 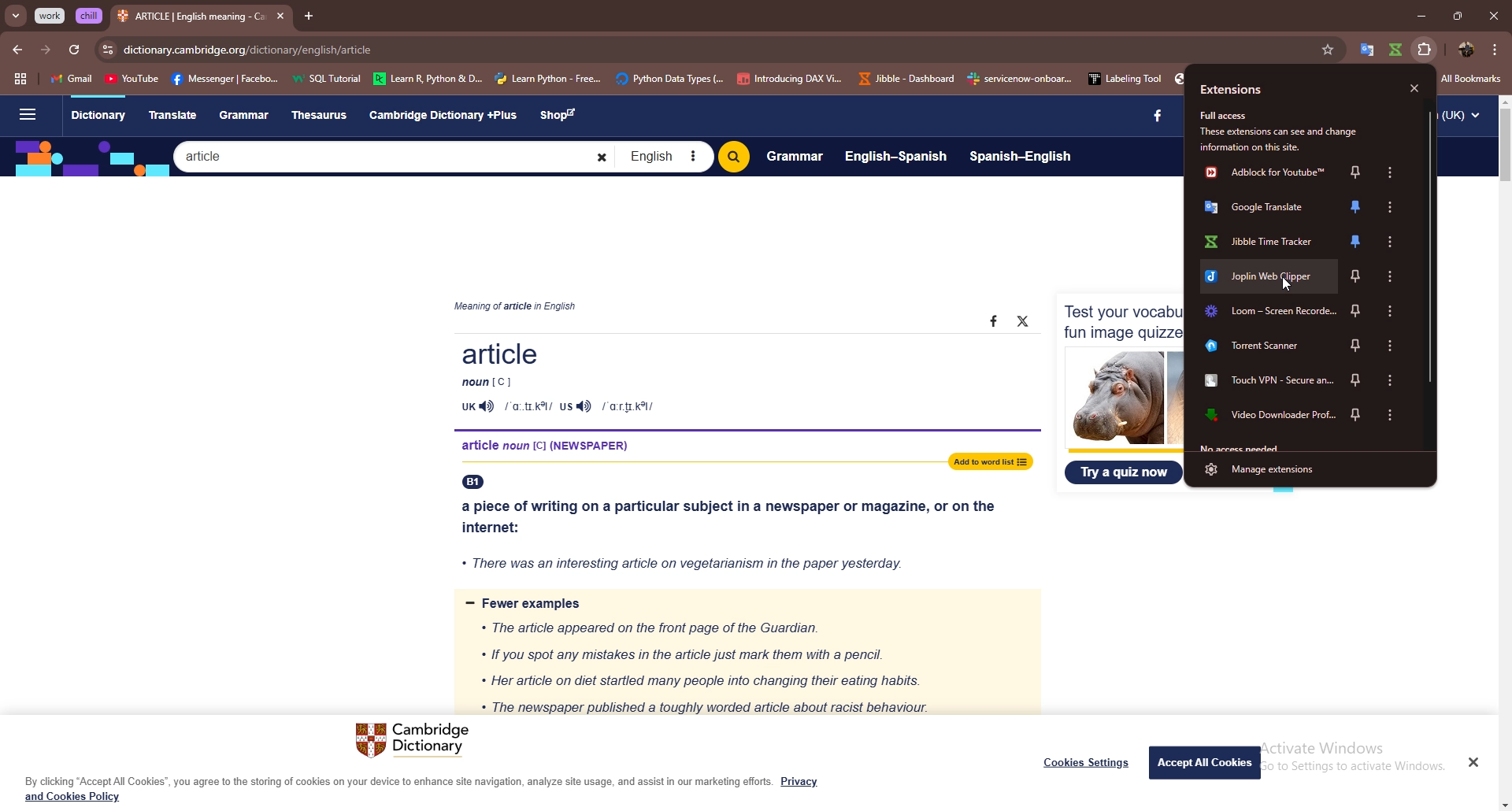 What do you see at coordinates (1021, 158) in the screenshot?
I see `Spanish-English` at bounding box center [1021, 158].